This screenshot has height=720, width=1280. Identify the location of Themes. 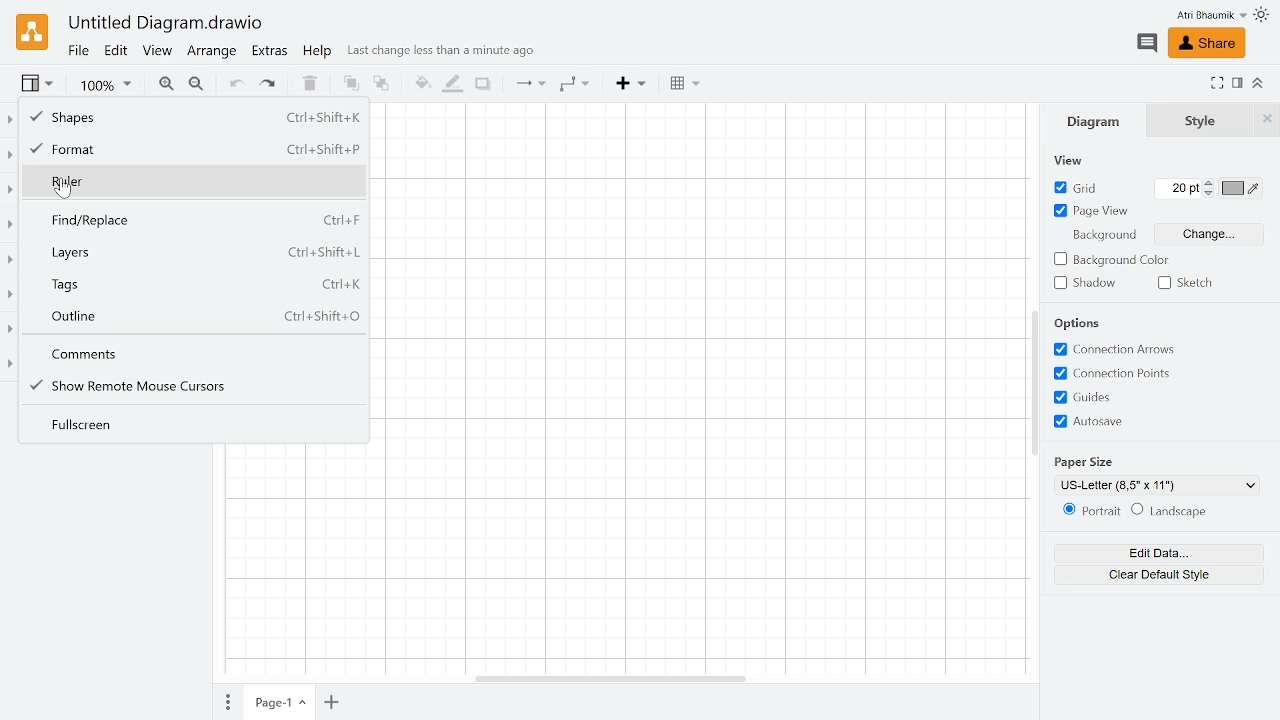
(1262, 17).